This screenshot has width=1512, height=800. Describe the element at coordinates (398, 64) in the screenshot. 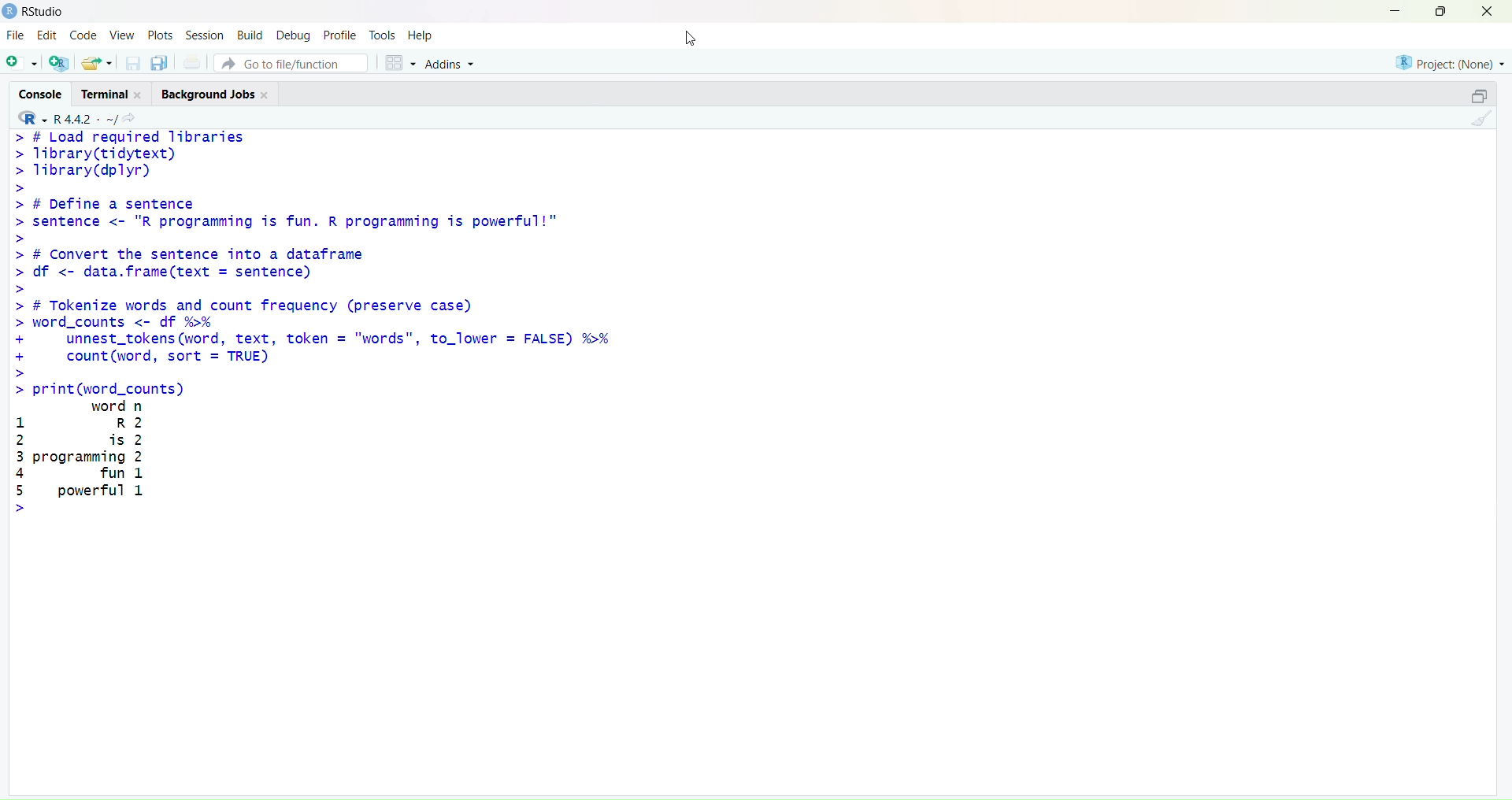

I see `workspace panes` at that location.